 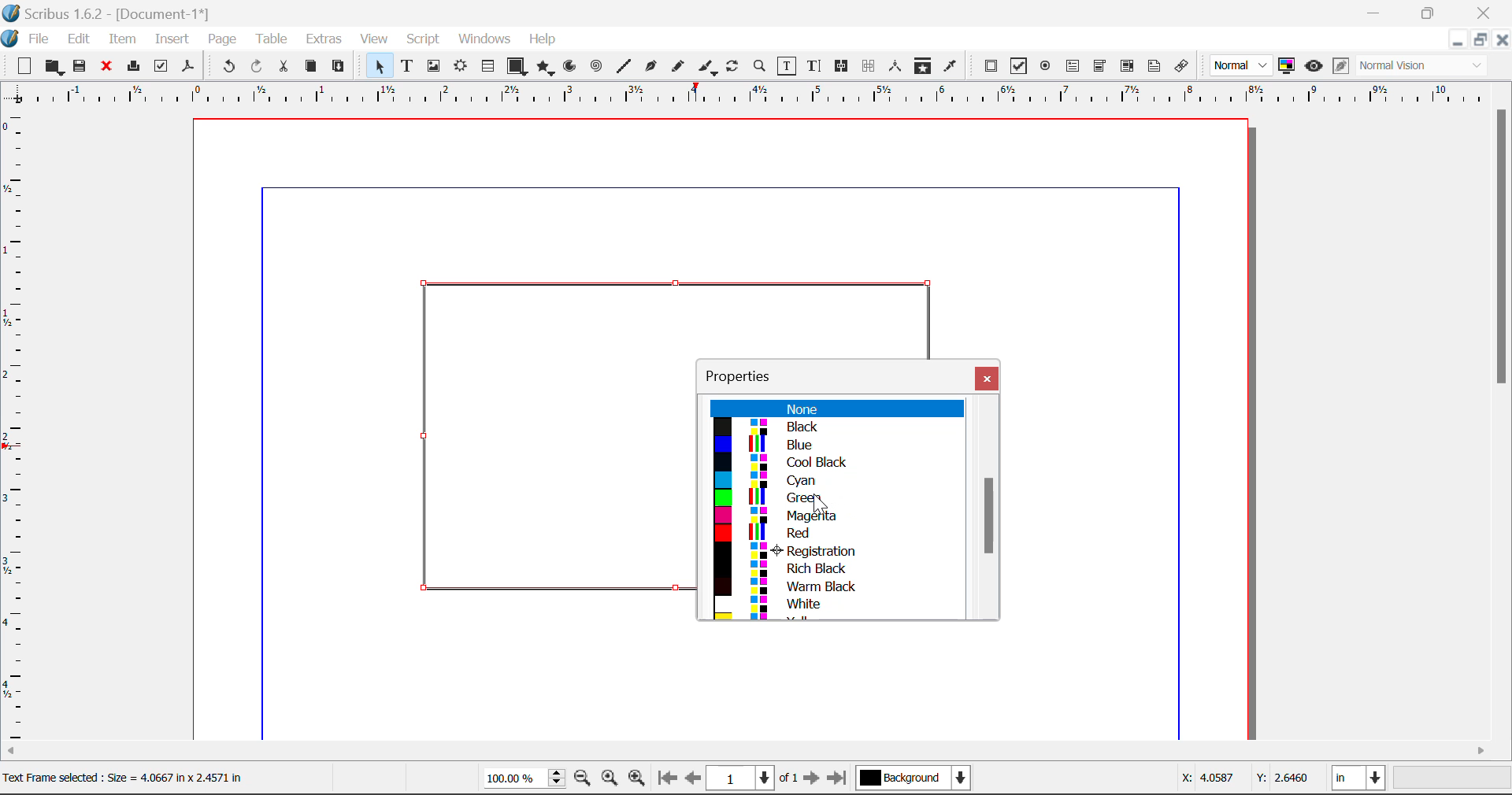 I want to click on Paste, so click(x=339, y=67).